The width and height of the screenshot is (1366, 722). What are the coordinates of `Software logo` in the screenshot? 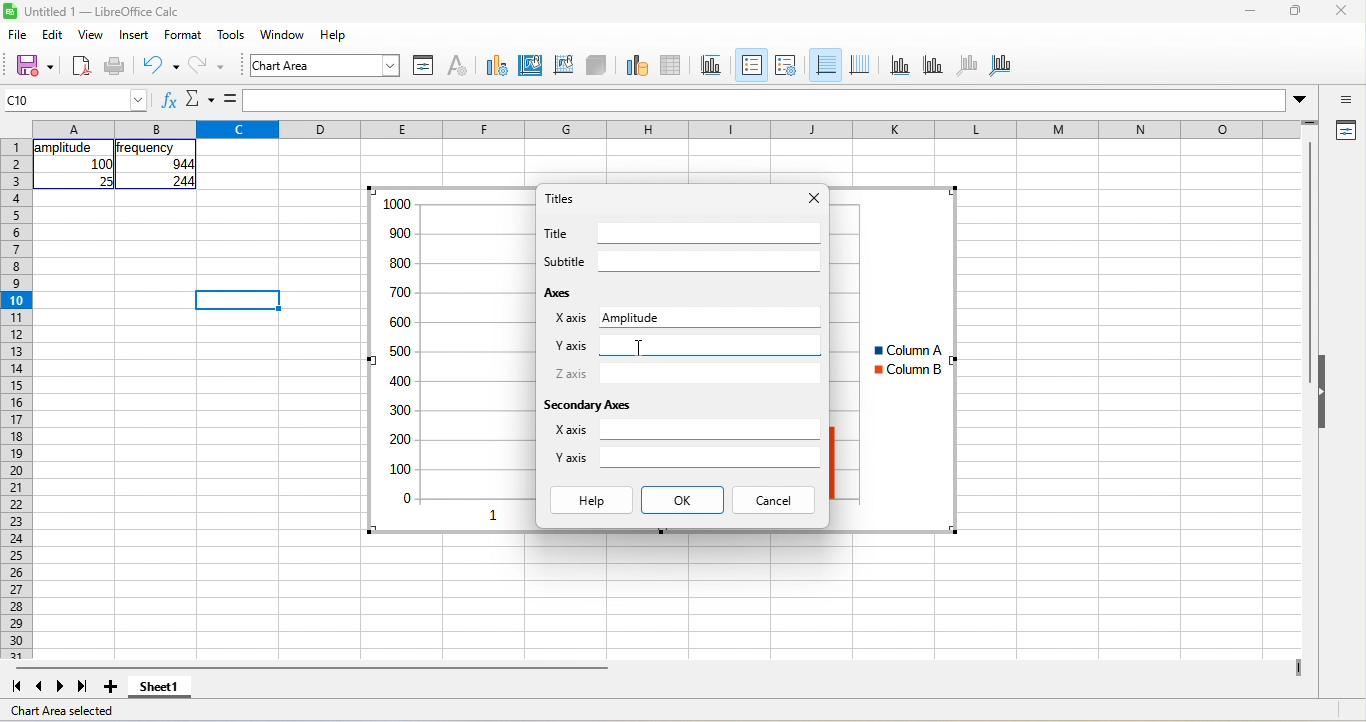 It's located at (10, 11).